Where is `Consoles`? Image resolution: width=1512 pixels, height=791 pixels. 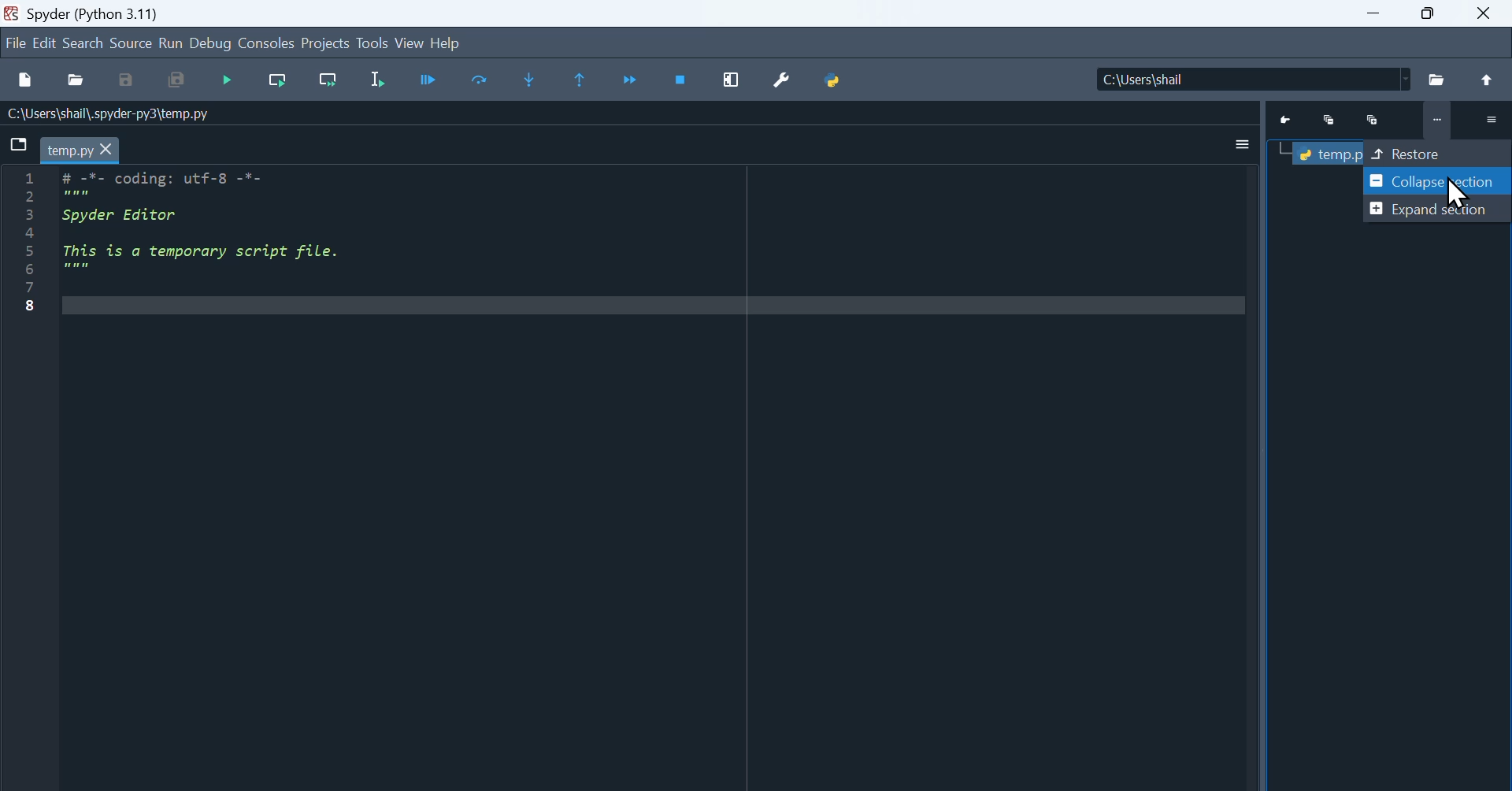
Consoles is located at coordinates (267, 44).